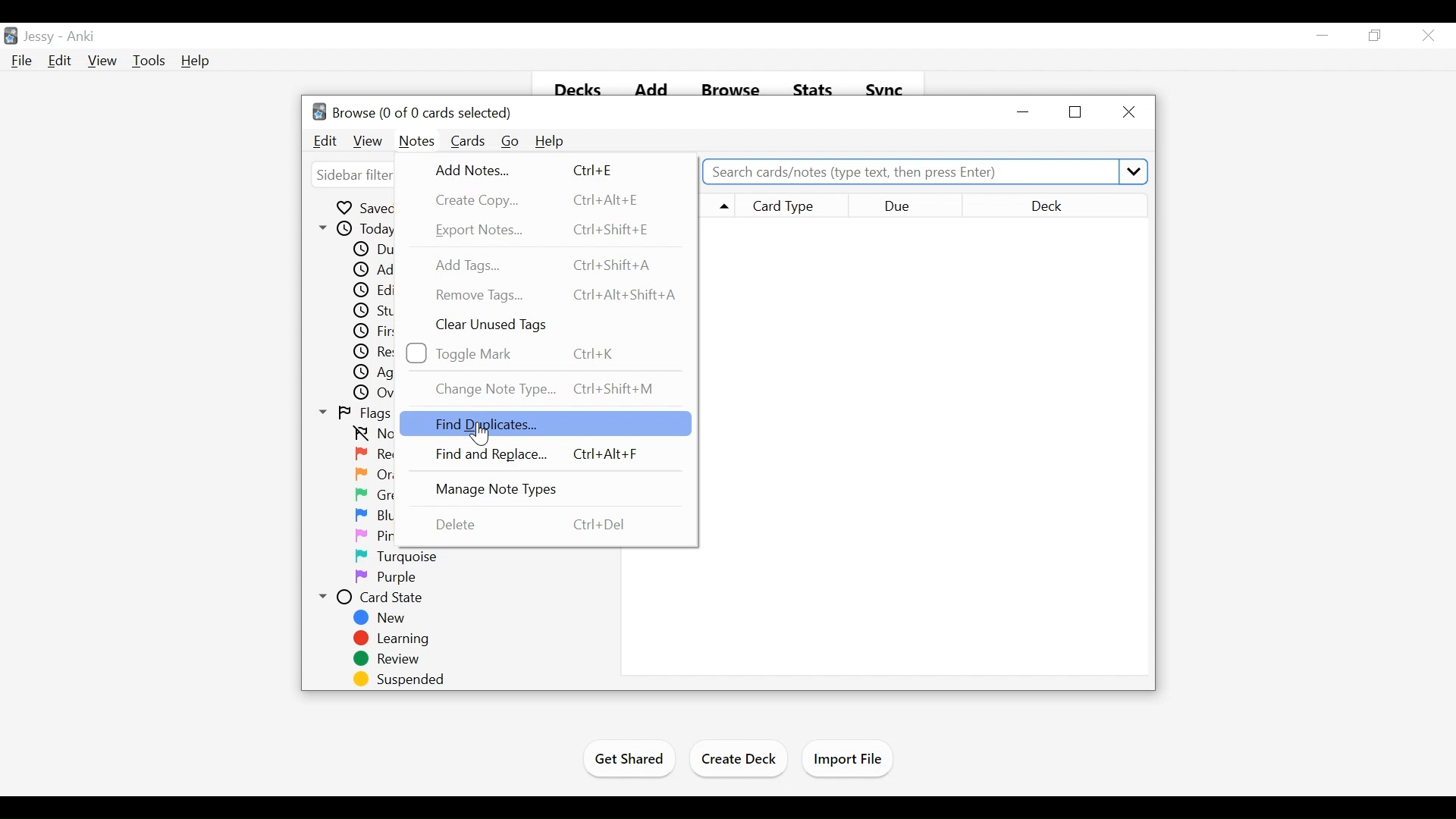 Image resolution: width=1456 pixels, height=819 pixels. I want to click on Overdue, so click(385, 394).